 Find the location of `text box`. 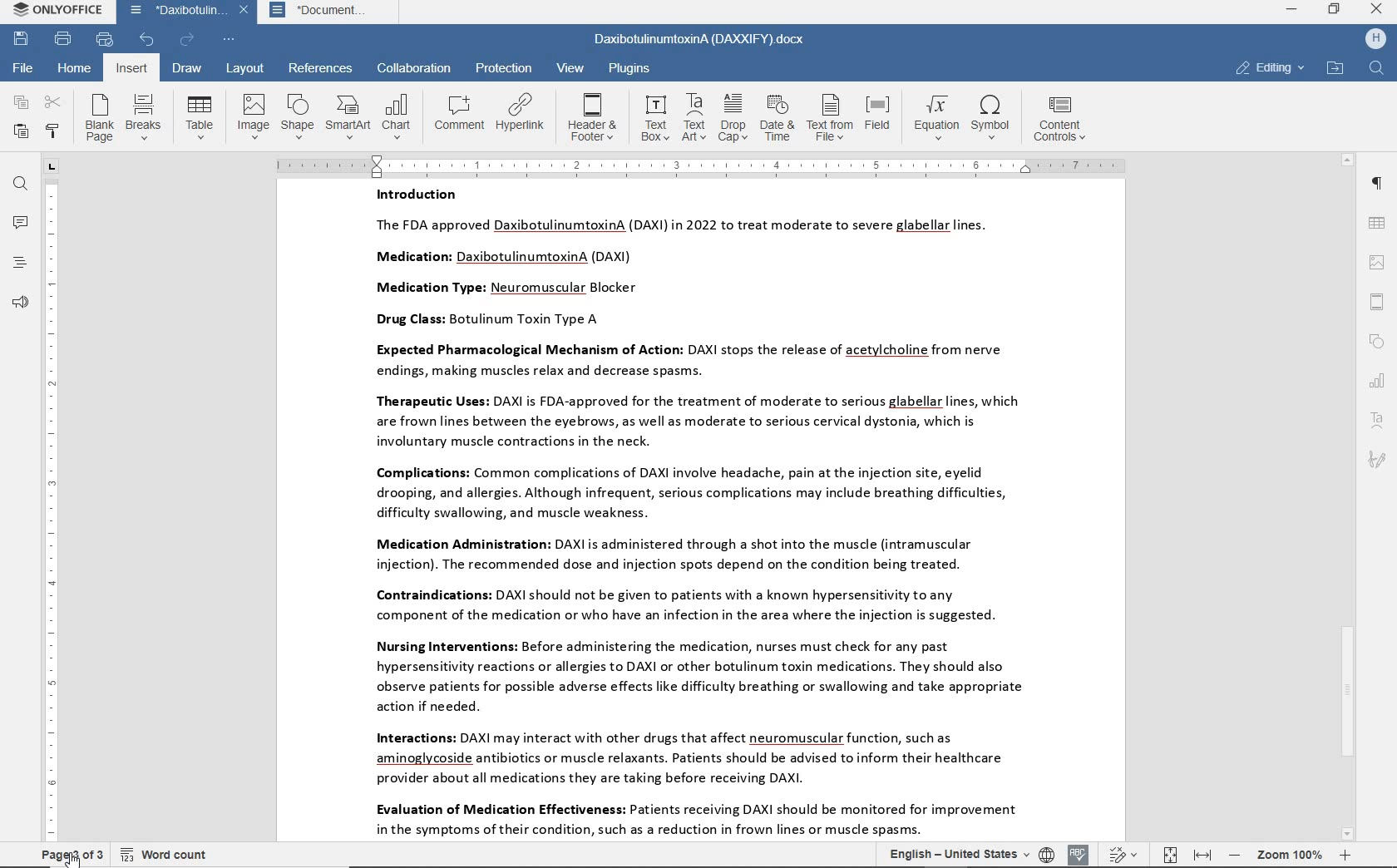

text box is located at coordinates (654, 118).